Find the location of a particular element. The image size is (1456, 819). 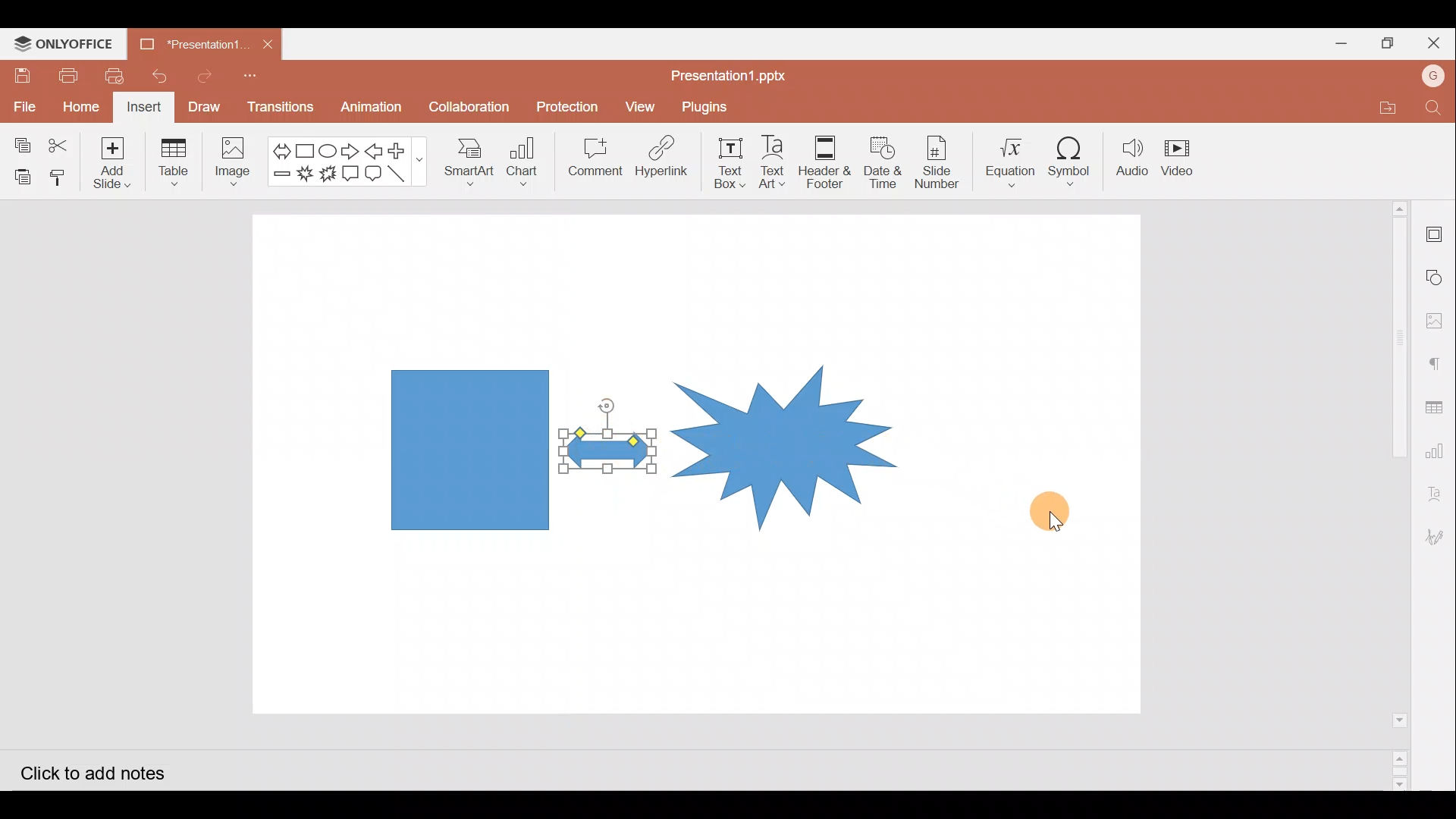

Text Art settings is located at coordinates (1439, 488).